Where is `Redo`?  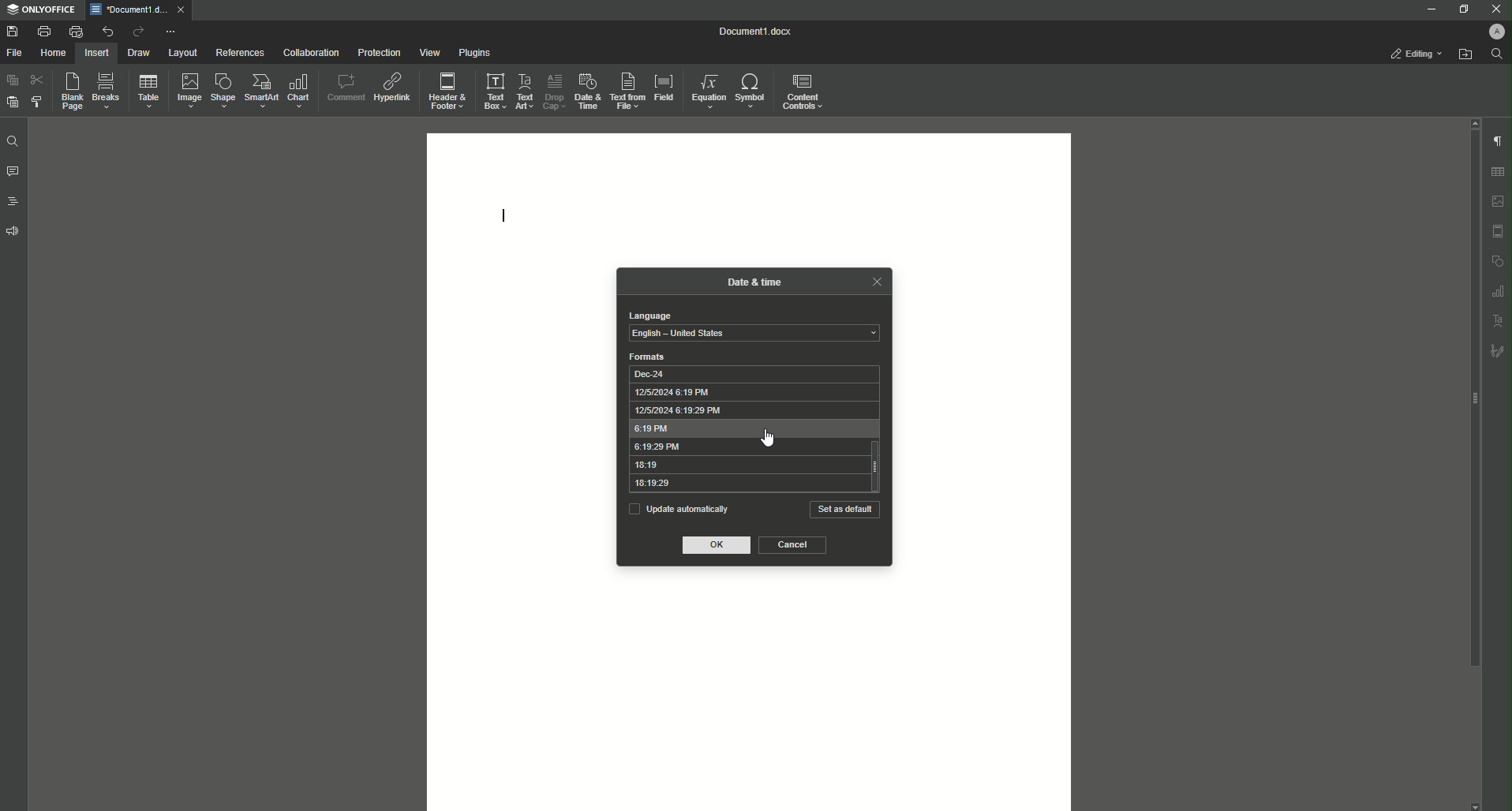 Redo is located at coordinates (136, 32).